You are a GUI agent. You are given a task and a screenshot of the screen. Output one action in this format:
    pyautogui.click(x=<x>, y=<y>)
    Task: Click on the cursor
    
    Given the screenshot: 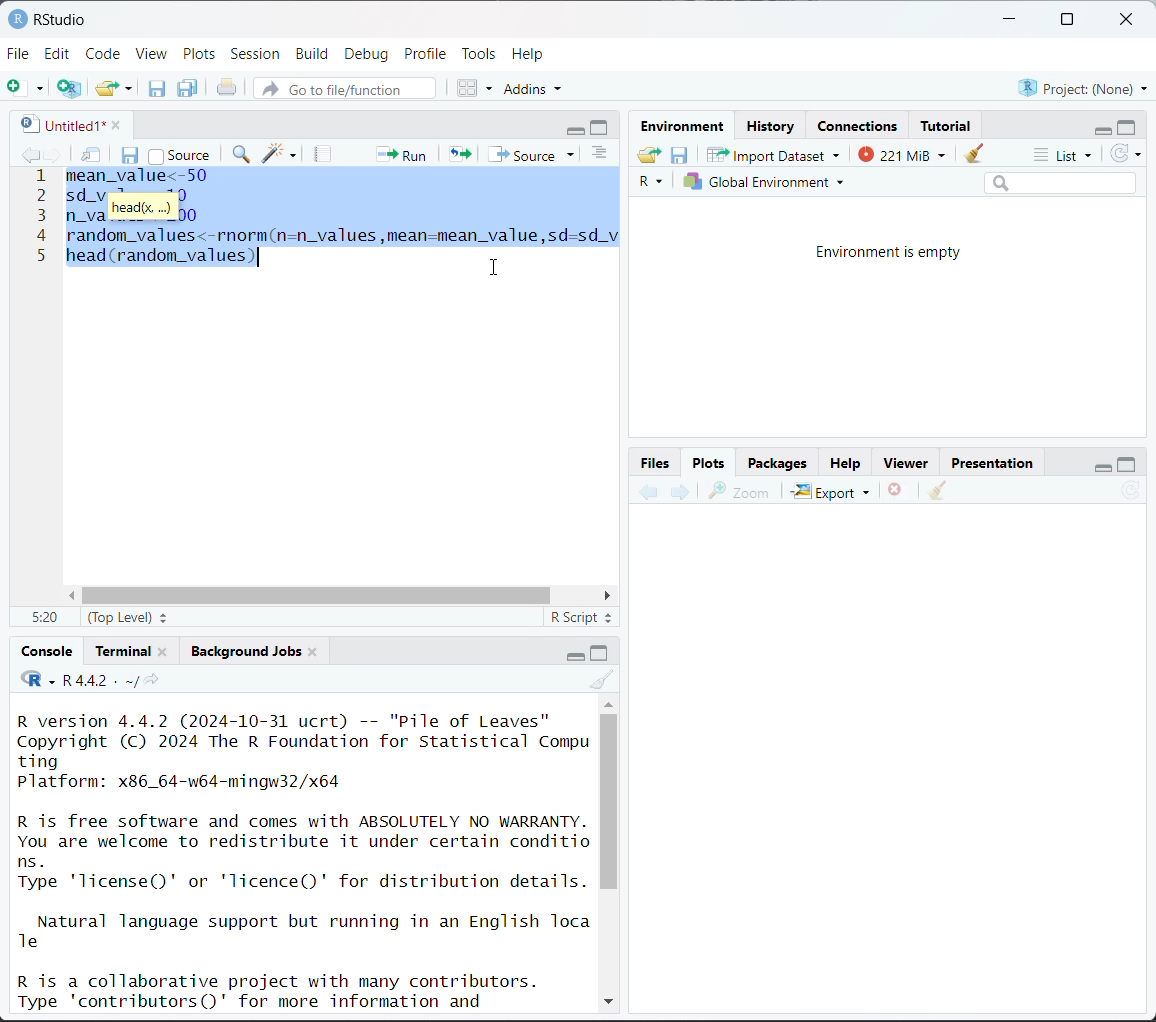 What is the action you would take?
    pyautogui.click(x=496, y=265)
    